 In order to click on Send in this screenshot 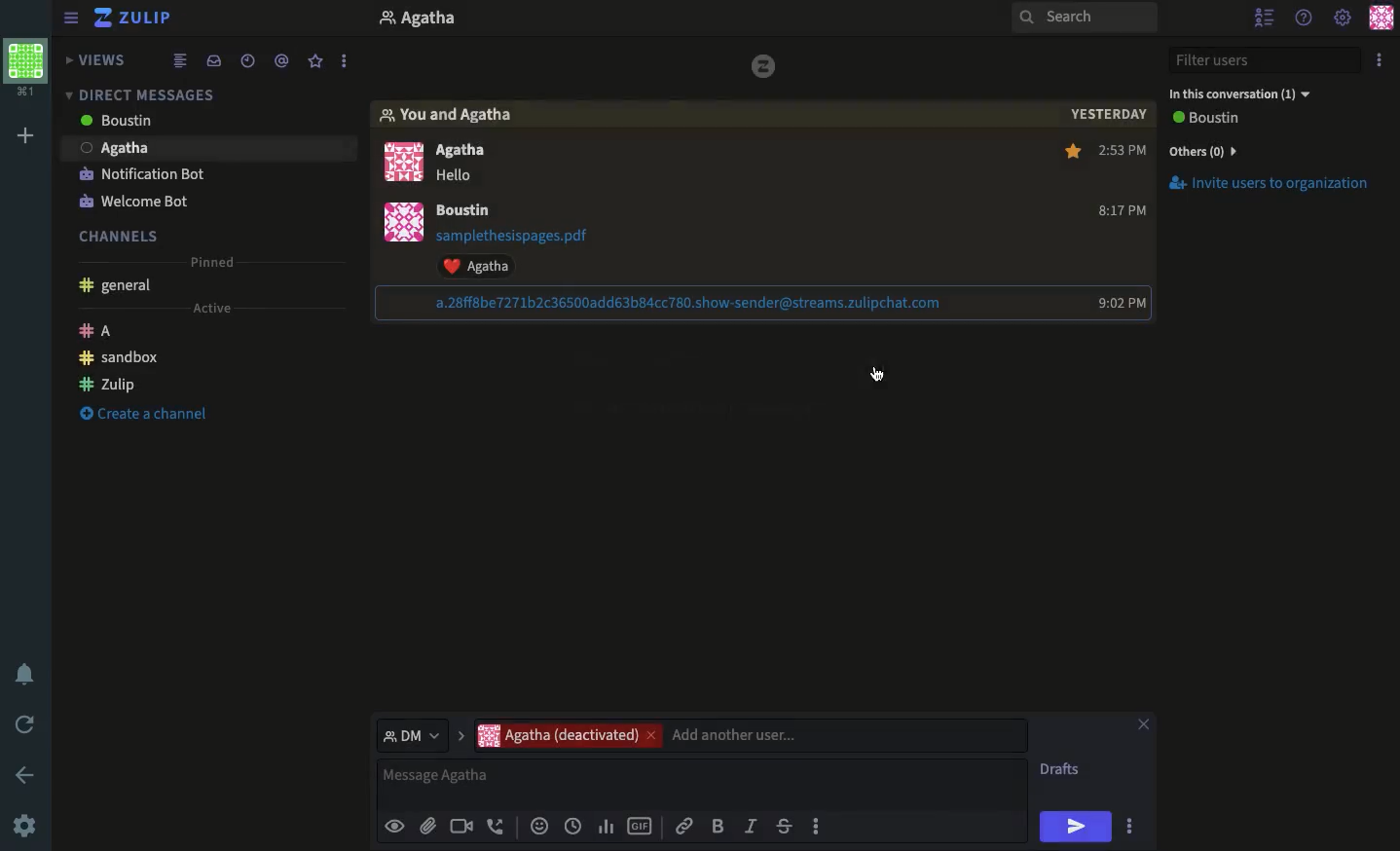, I will do `click(1076, 827)`.